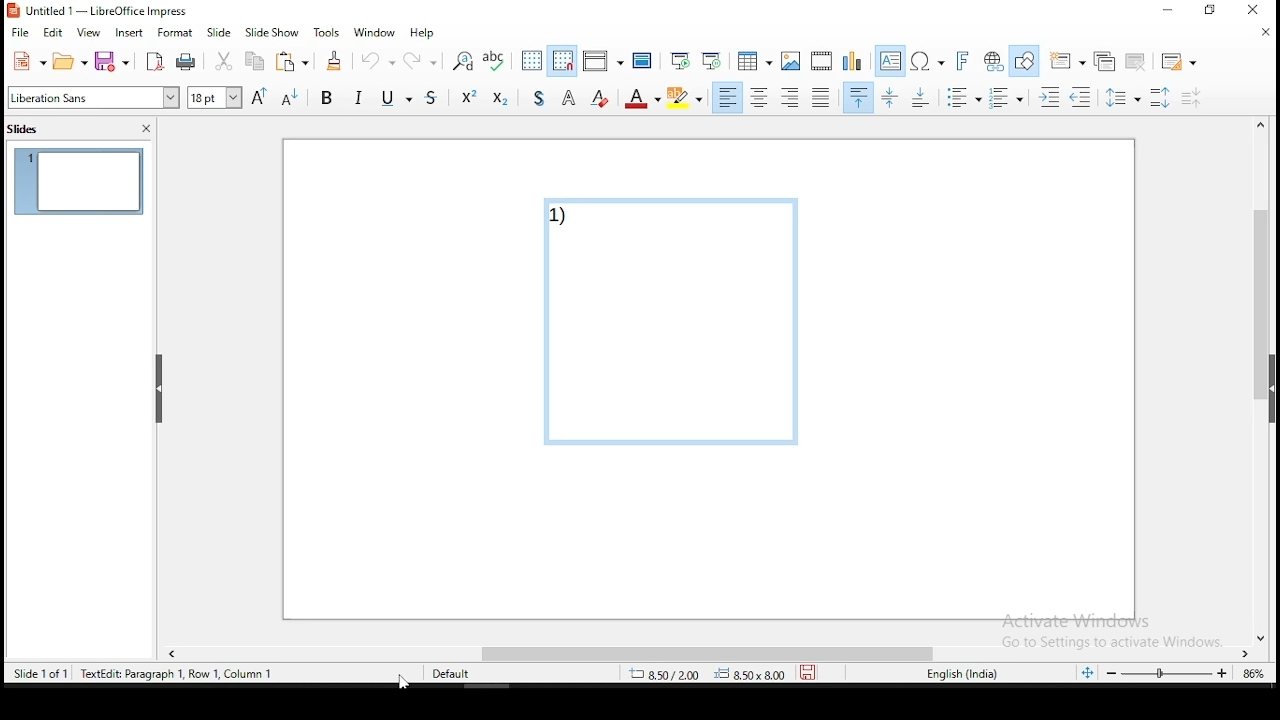  What do you see at coordinates (729, 98) in the screenshot?
I see `align left` at bounding box center [729, 98].